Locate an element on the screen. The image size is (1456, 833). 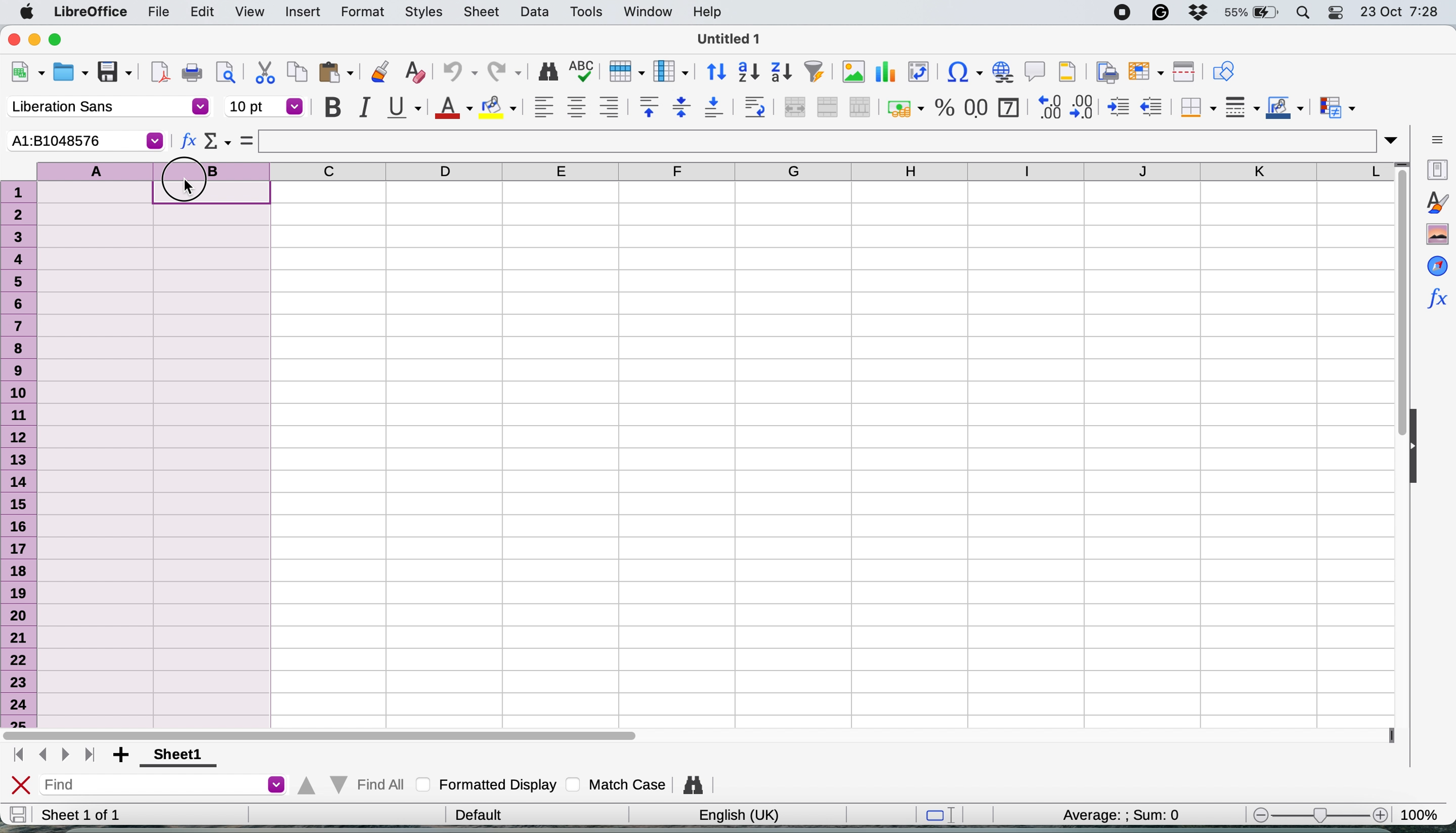
format as date is located at coordinates (1008, 107).